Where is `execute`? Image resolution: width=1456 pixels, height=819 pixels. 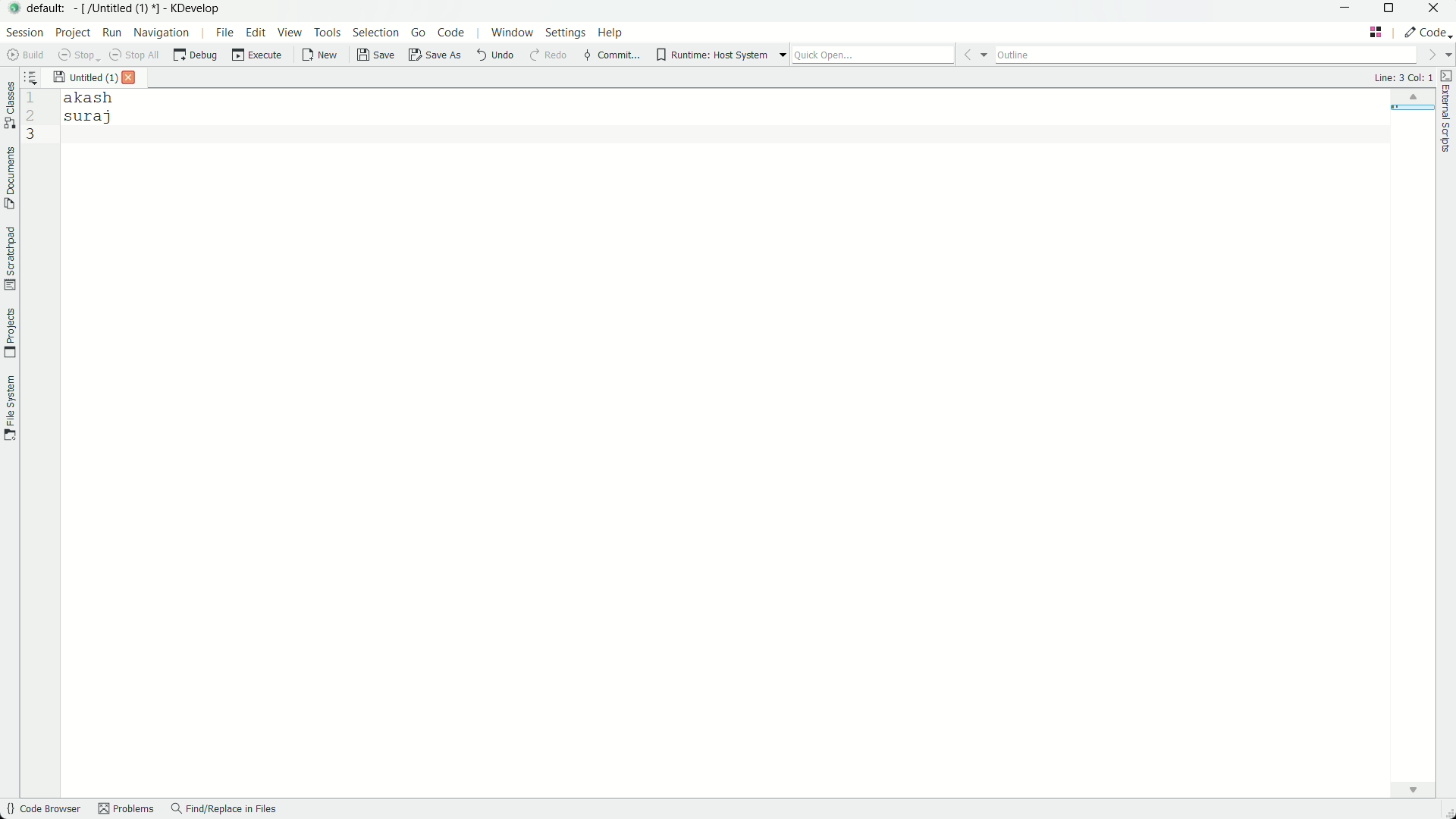
execute is located at coordinates (257, 55).